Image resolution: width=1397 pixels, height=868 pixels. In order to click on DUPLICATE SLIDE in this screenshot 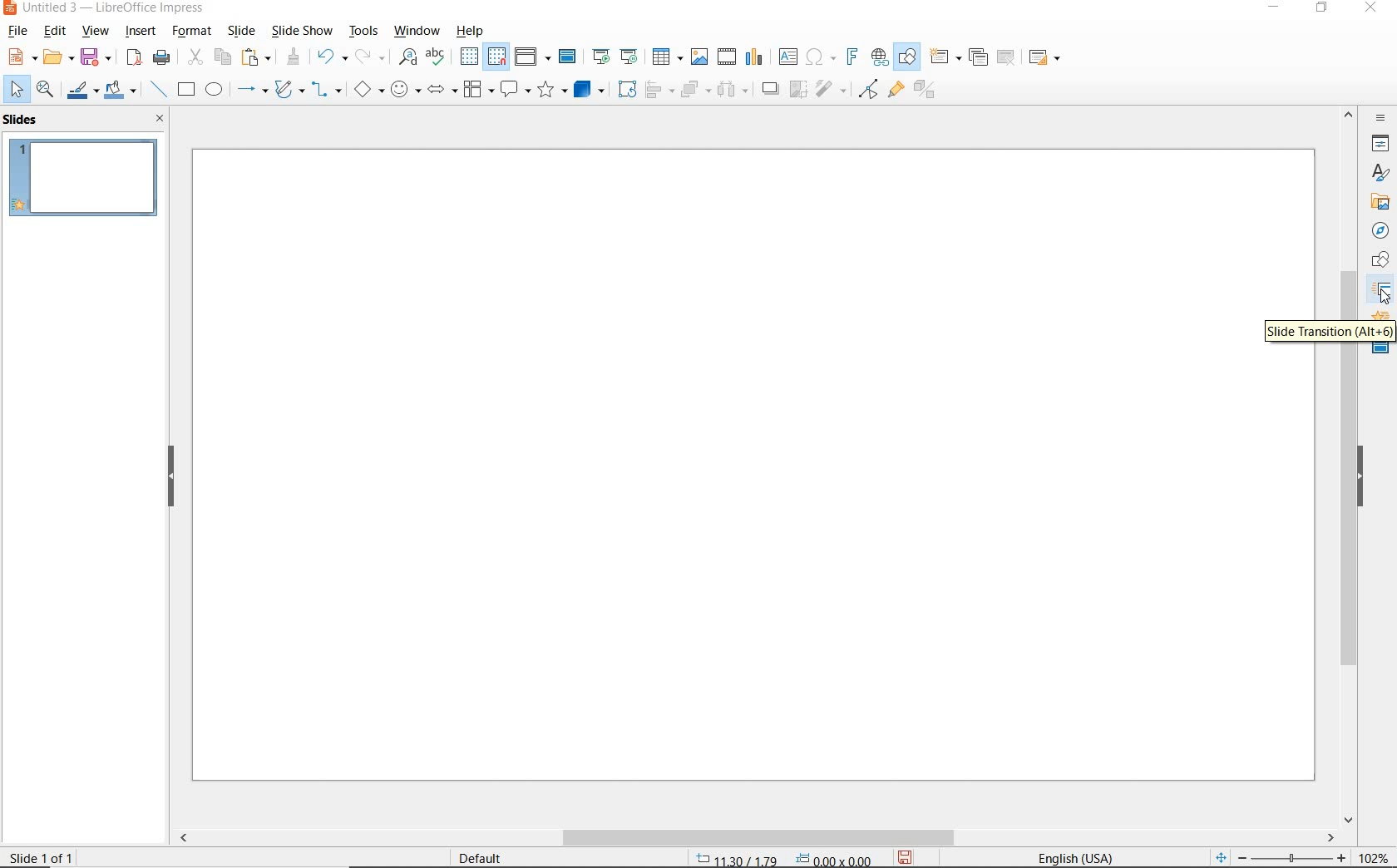, I will do `click(979, 57)`.